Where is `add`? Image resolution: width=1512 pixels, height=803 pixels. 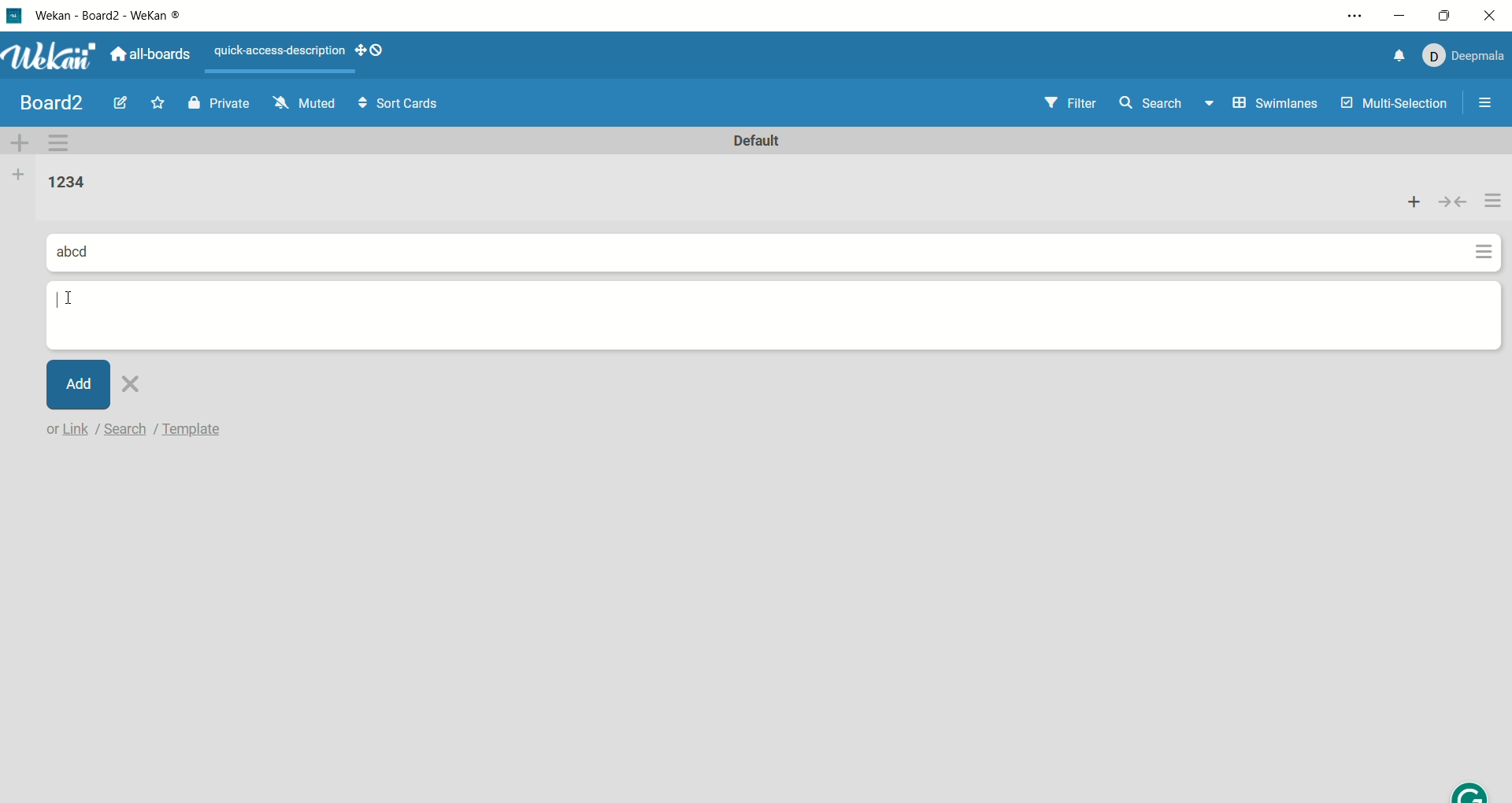
add is located at coordinates (80, 387).